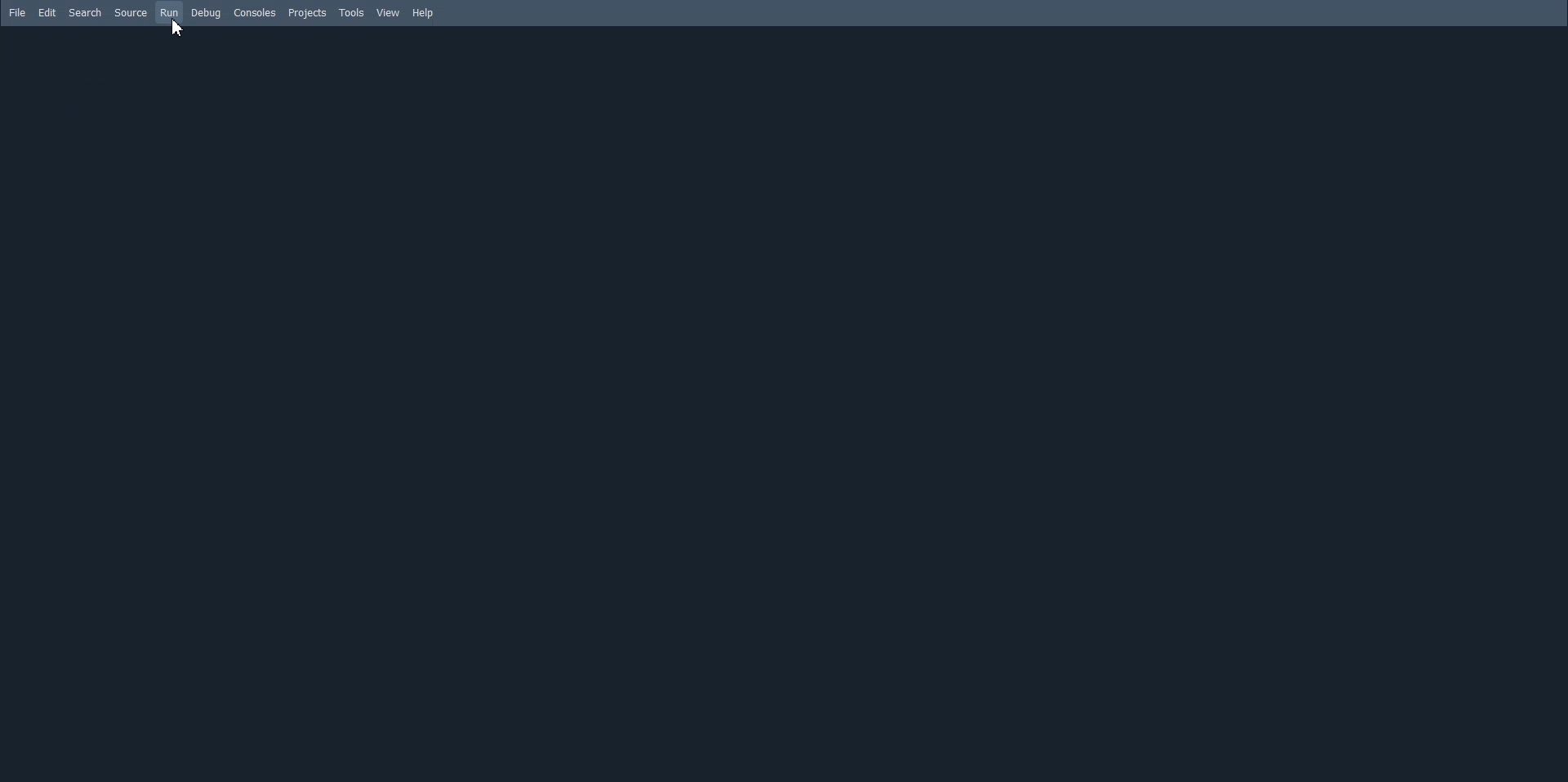  Describe the element at coordinates (353, 12) in the screenshot. I see `Tools` at that location.